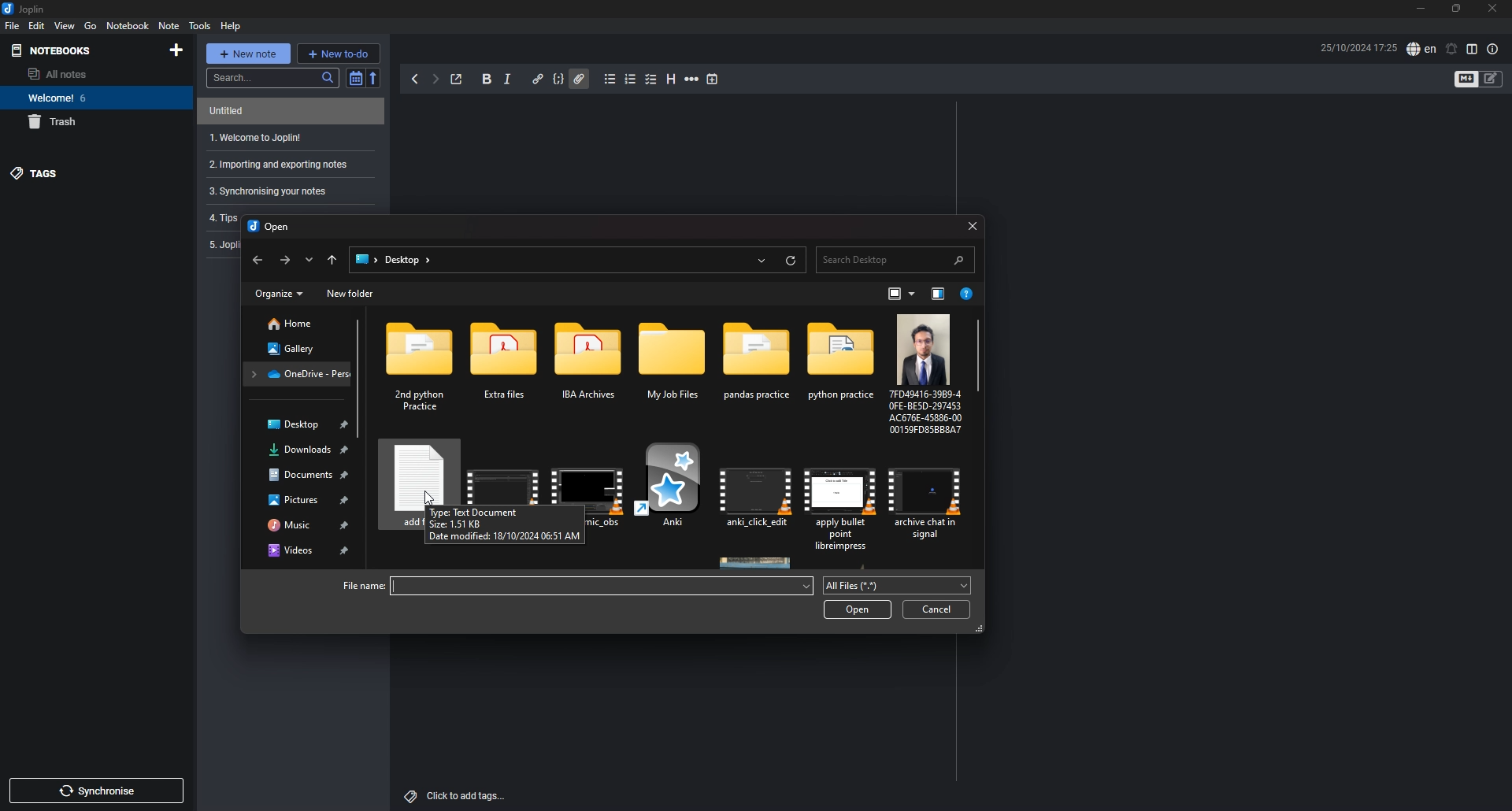  I want to click on file, so click(923, 373).